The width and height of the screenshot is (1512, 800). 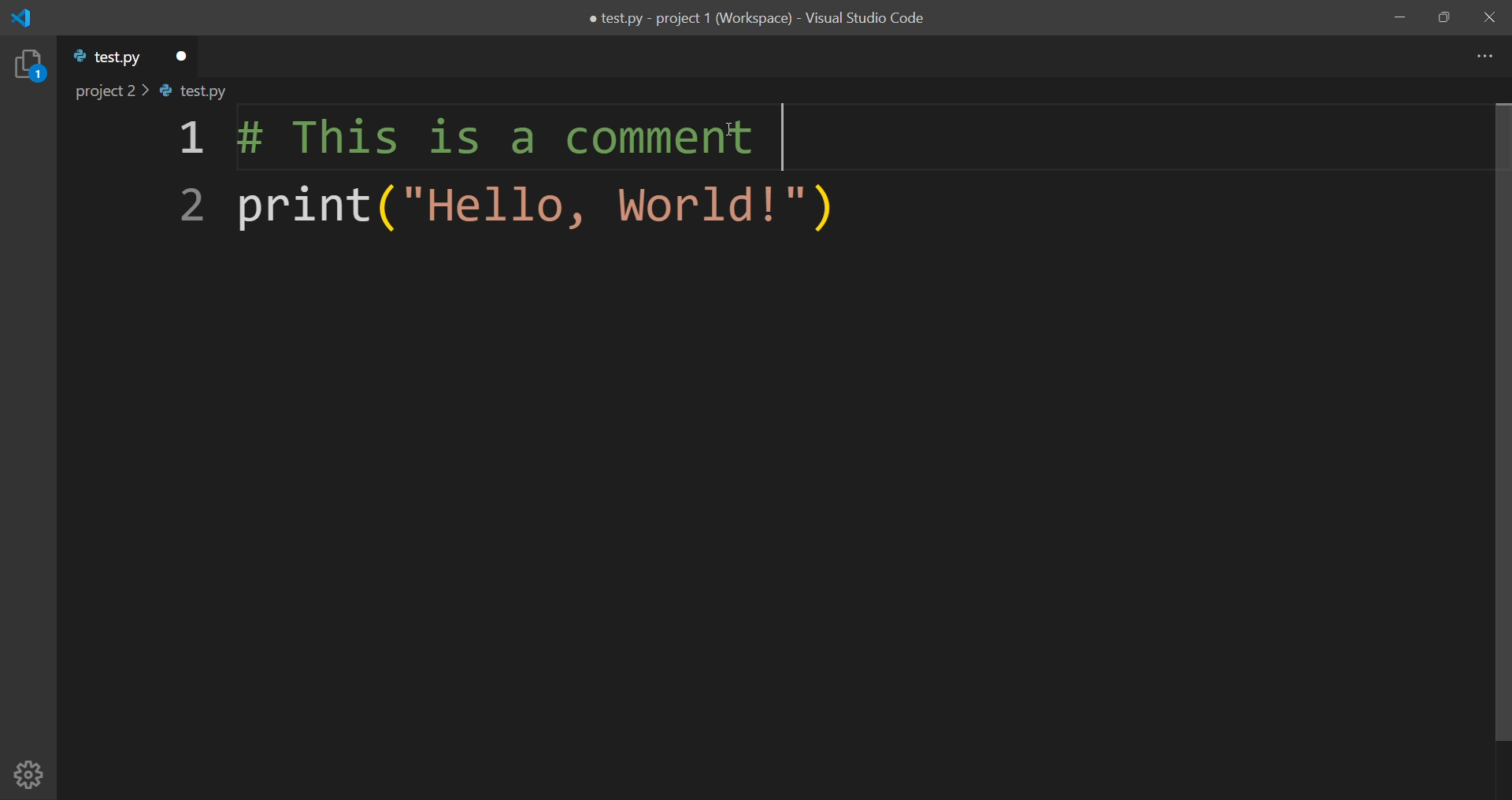 I want to click on logo, so click(x=28, y=18).